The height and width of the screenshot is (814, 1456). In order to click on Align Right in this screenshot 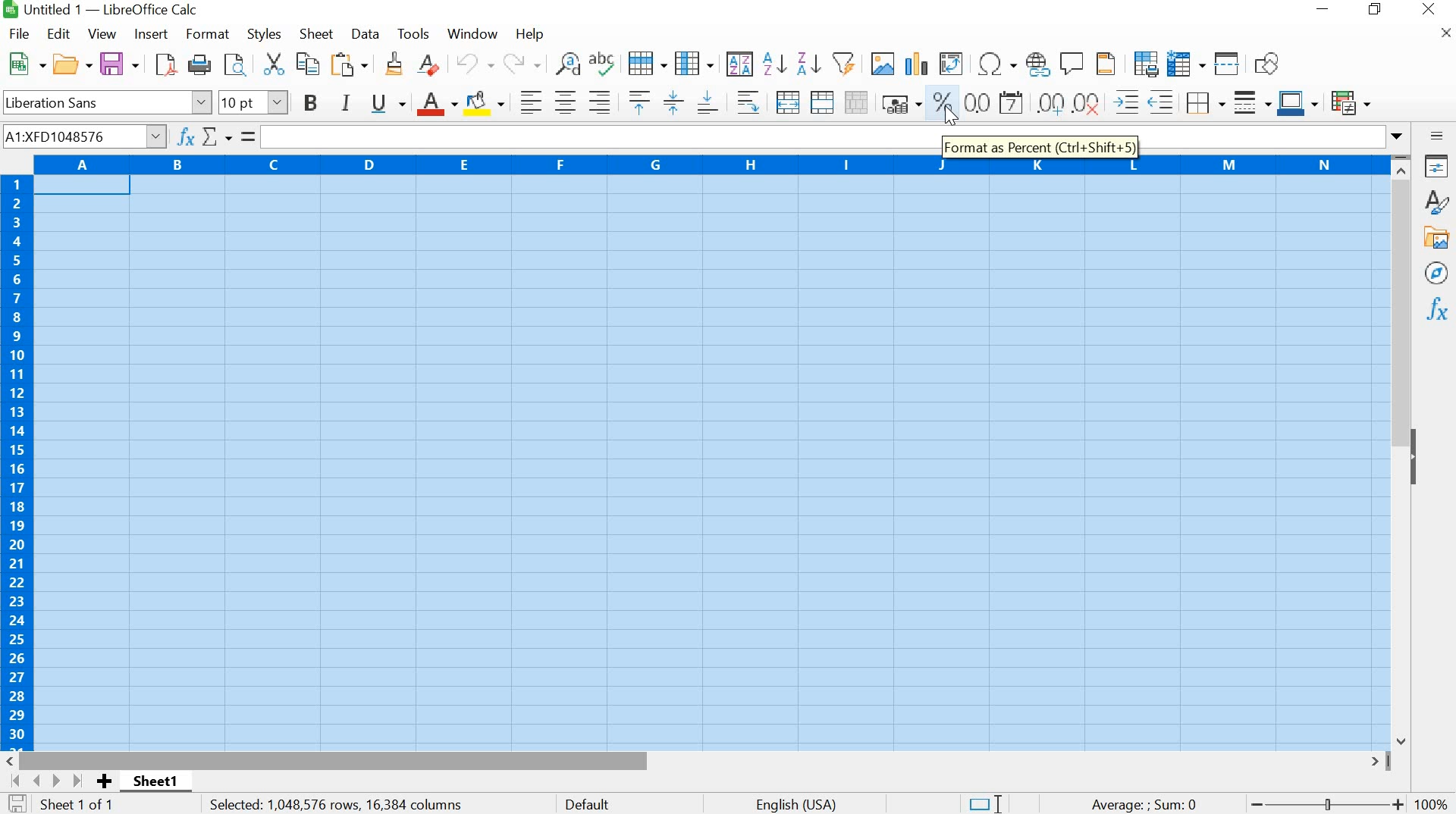, I will do `click(600, 102)`.